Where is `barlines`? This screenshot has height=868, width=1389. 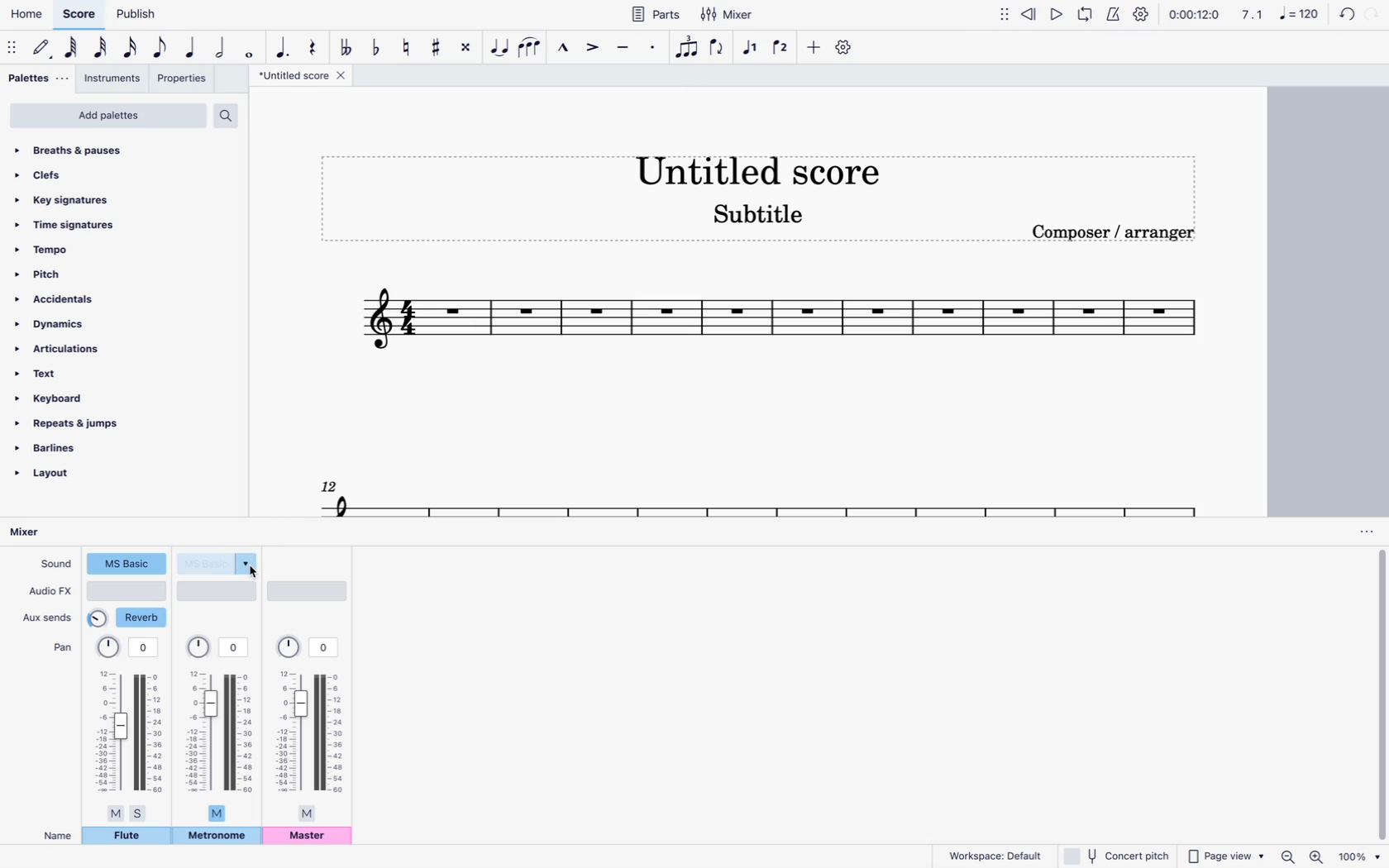 barlines is located at coordinates (79, 447).